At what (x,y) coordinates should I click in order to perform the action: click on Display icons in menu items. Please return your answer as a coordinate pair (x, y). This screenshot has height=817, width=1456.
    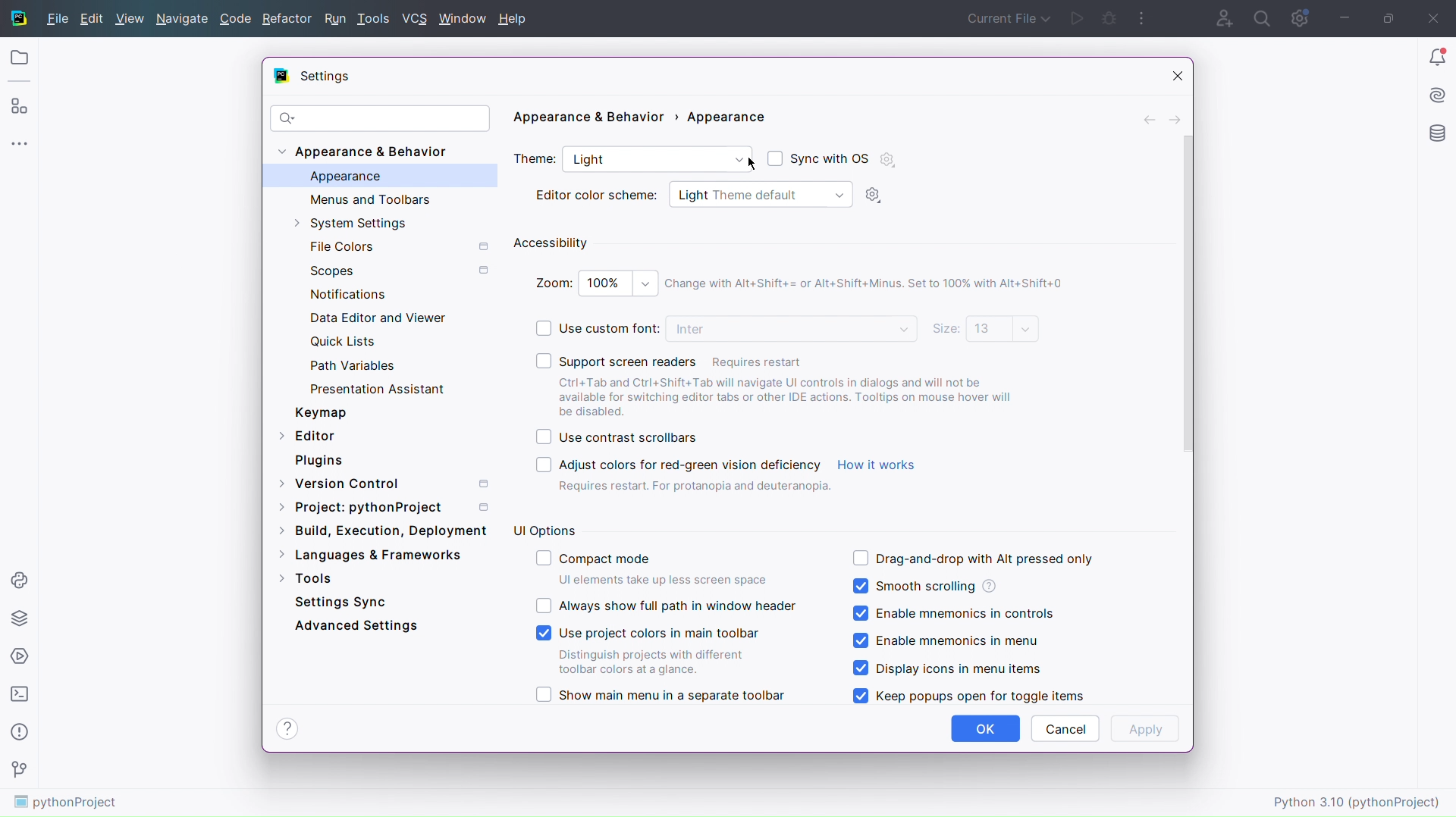
    Looking at the image, I should click on (947, 668).